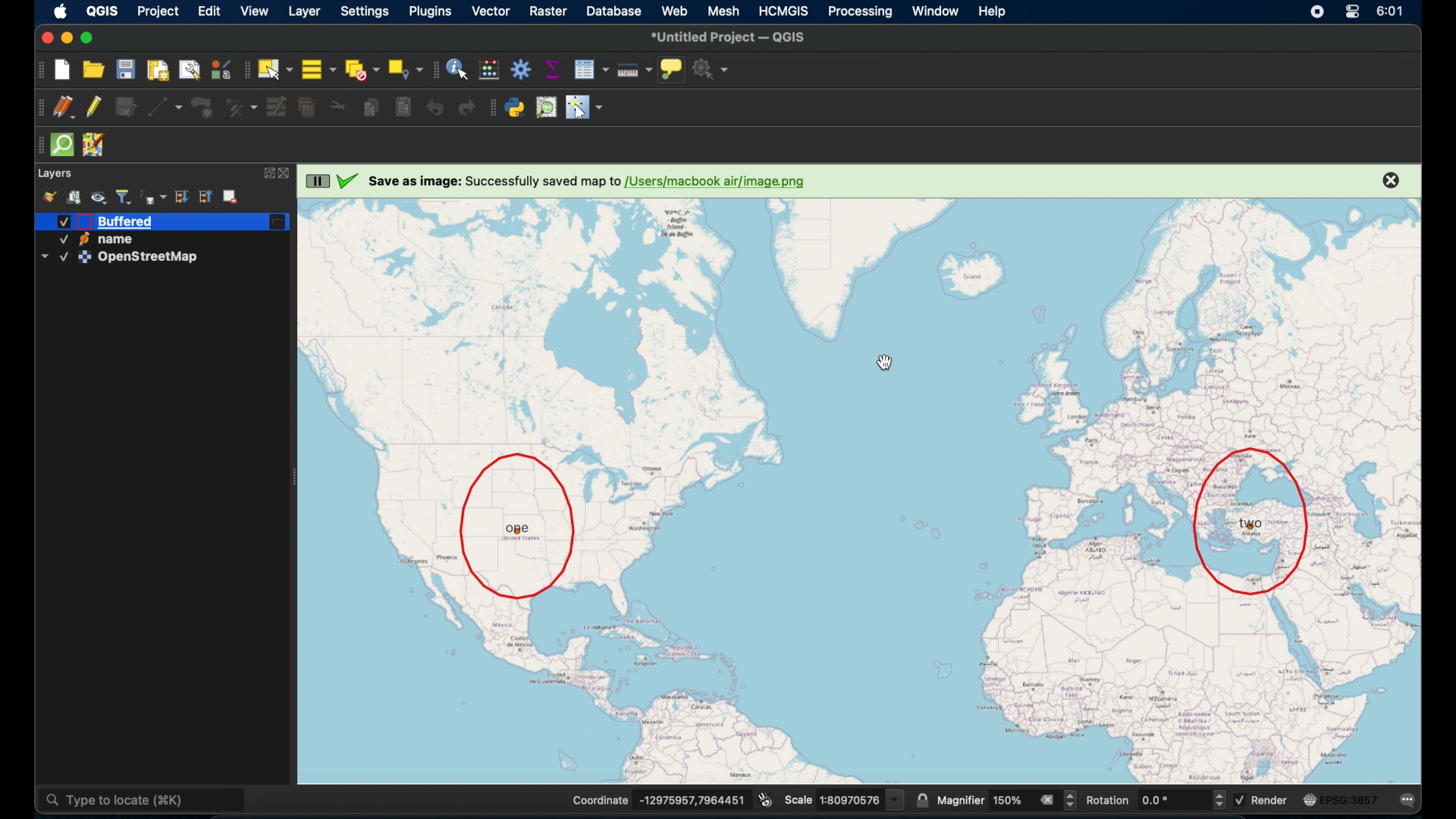 This screenshot has height=819, width=1456. What do you see at coordinates (937, 12) in the screenshot?
I see `window` at bounding box center [937, 12].